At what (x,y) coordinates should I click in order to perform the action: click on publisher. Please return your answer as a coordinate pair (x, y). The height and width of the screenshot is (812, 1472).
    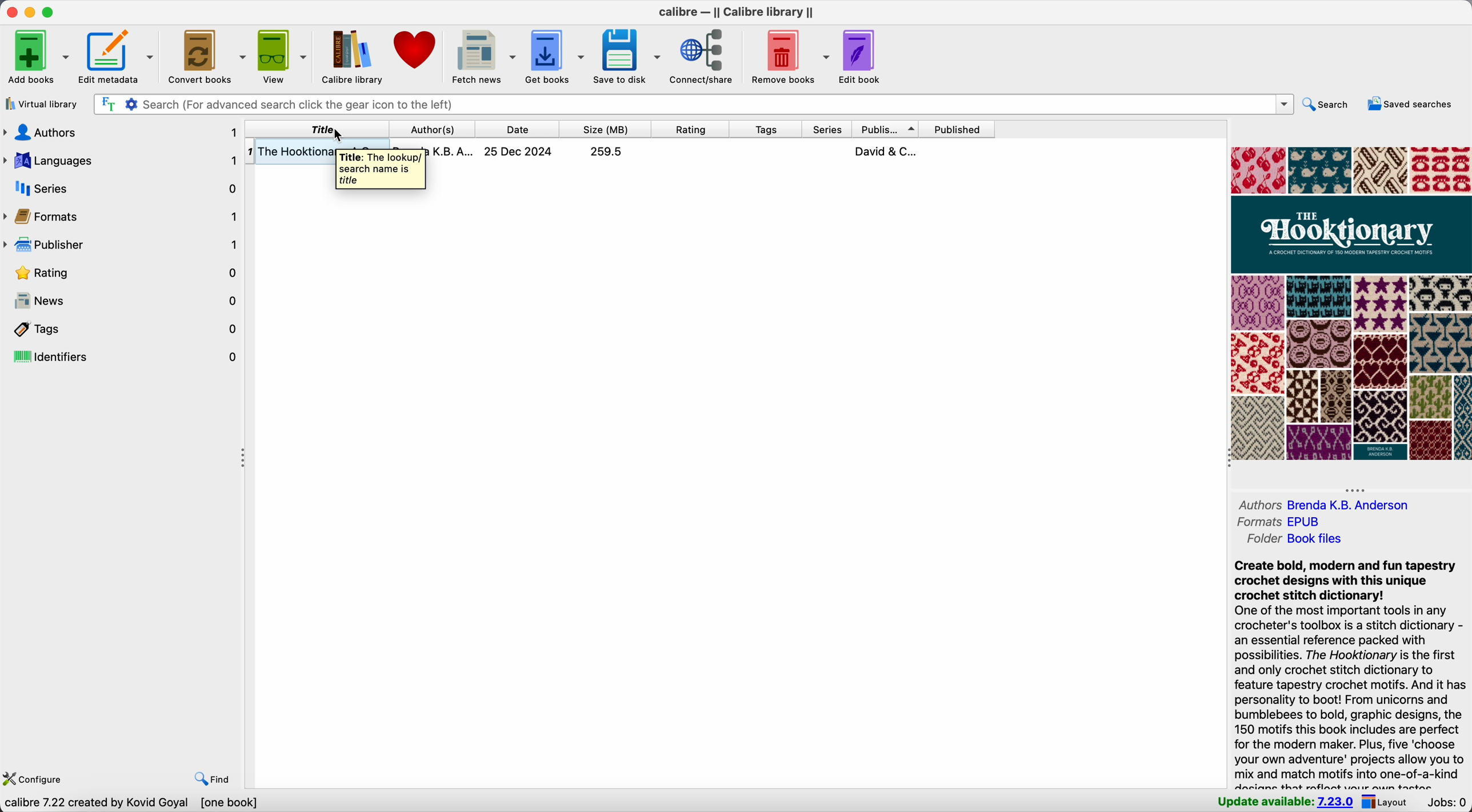
    Looking at the image, I should click on (122, 247).